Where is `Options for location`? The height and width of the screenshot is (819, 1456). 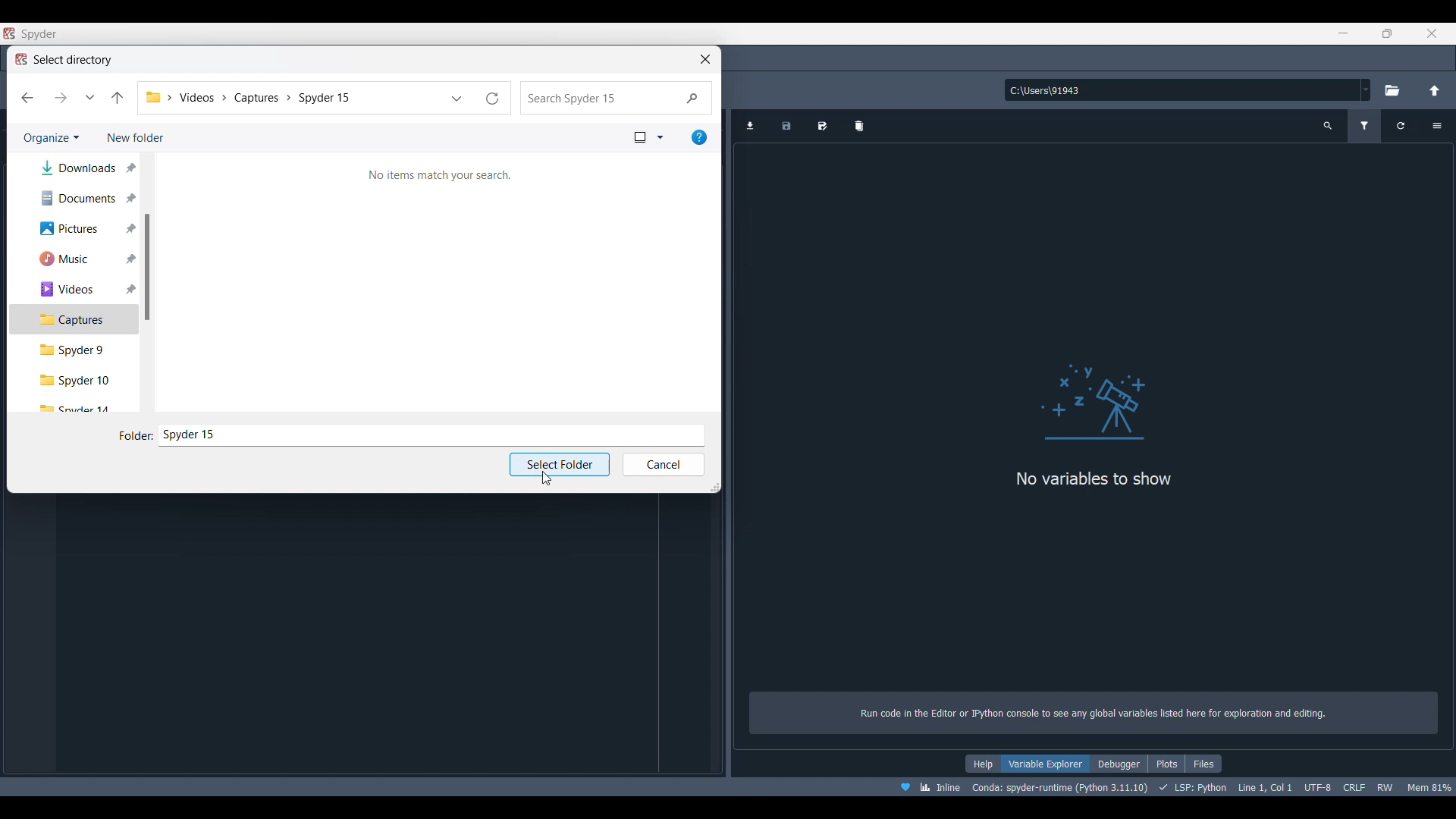
Options for location is located at coordinates (1367, 89).